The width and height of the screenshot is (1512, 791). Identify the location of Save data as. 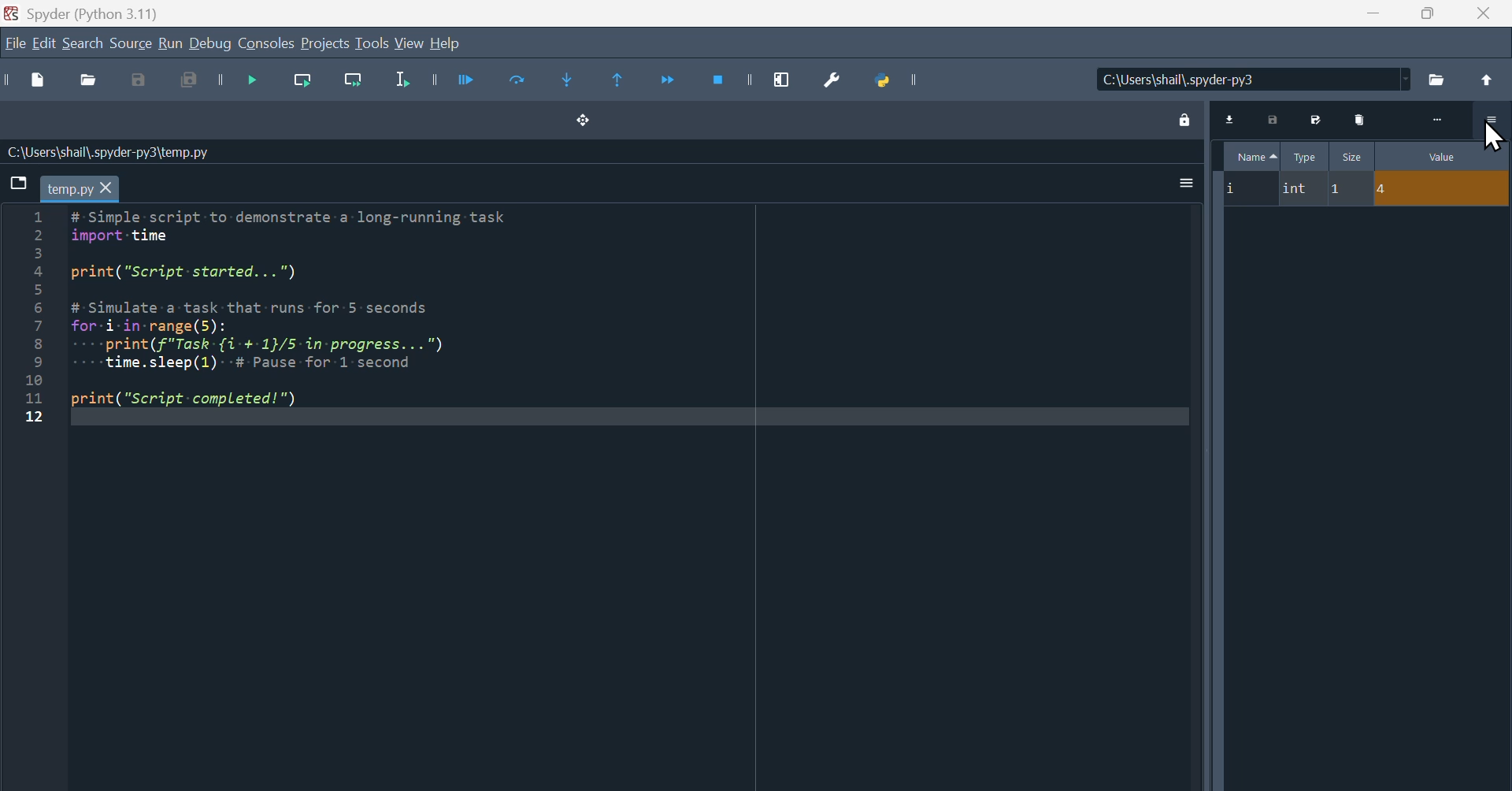
(1317, 118).